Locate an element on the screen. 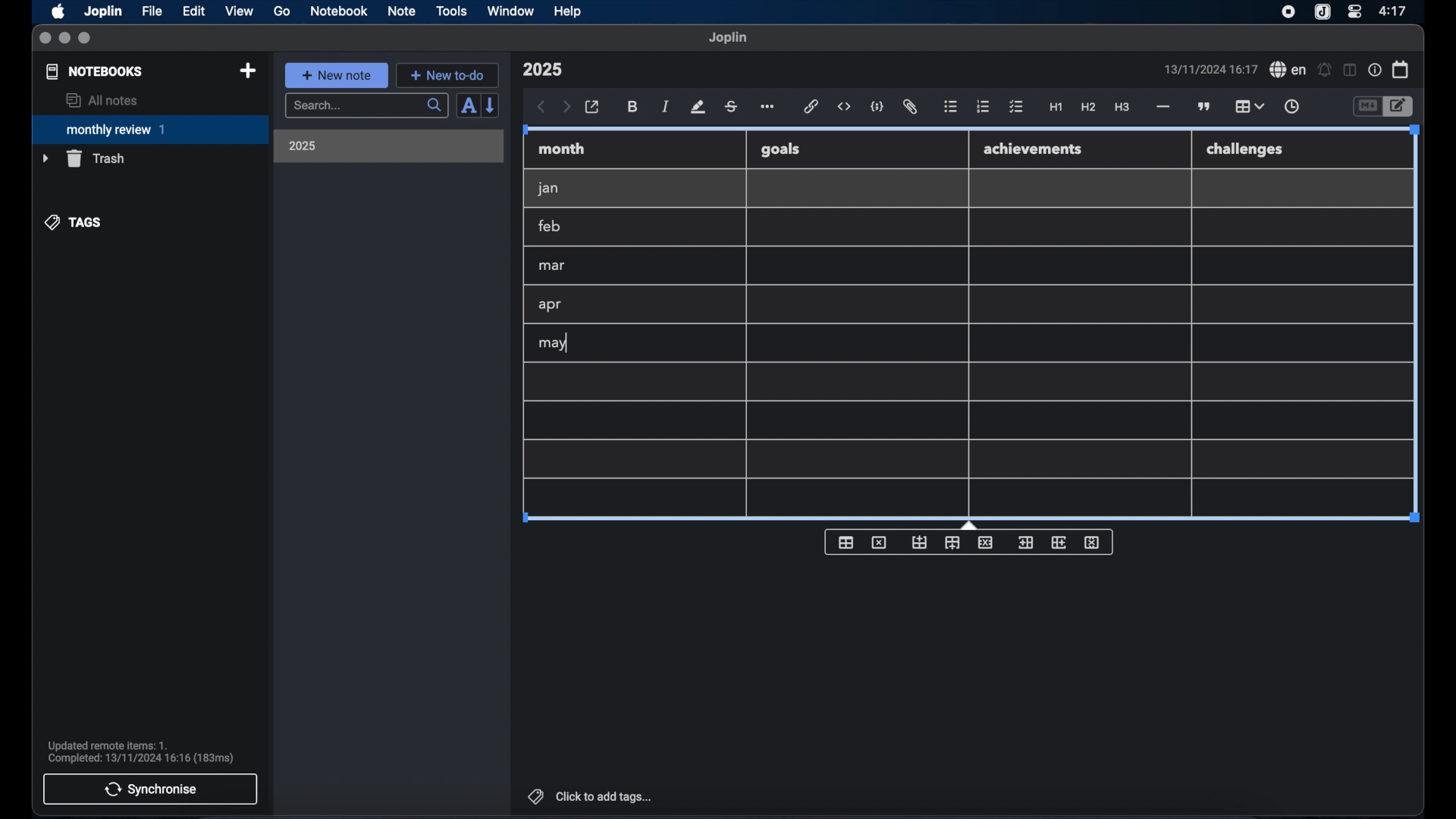  month is located at coordinates (562, 149).